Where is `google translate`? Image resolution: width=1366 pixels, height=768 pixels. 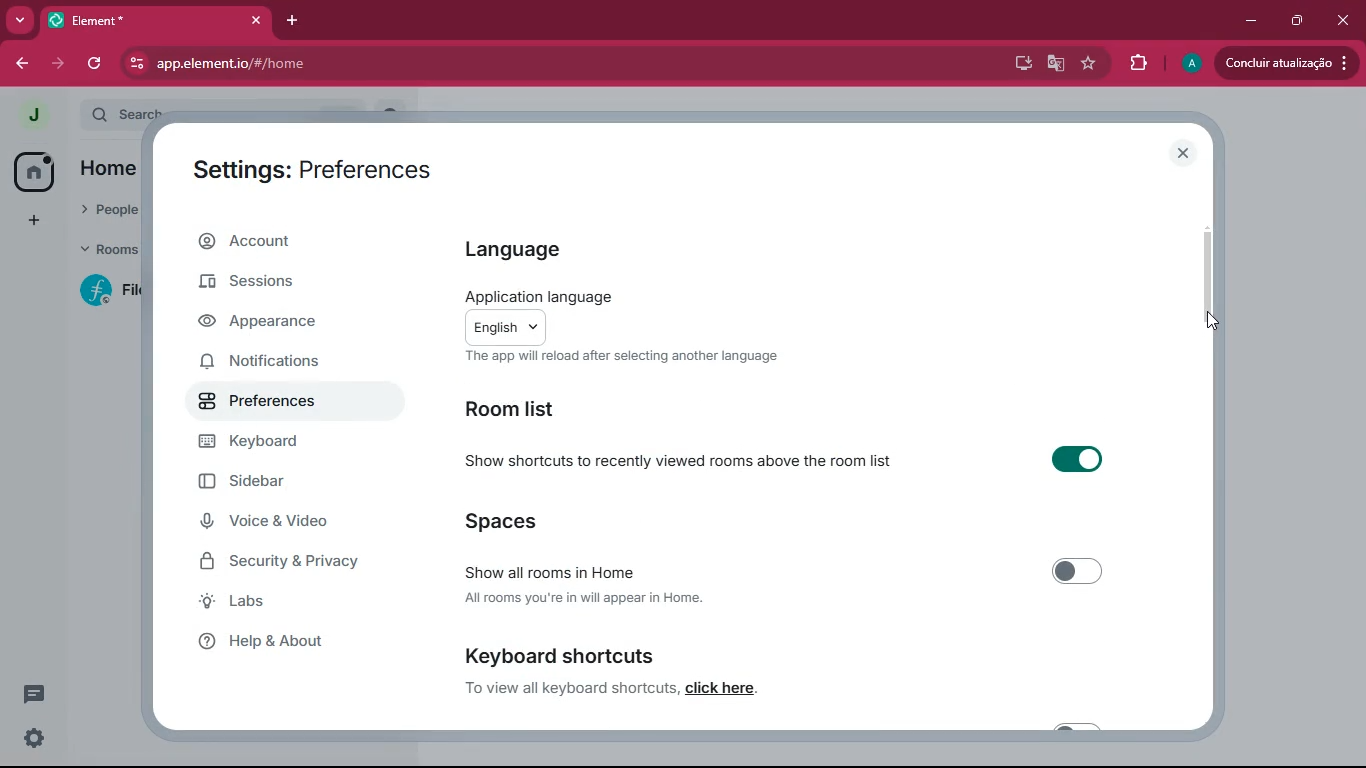 google translate is located at coordinates (1054, 63).